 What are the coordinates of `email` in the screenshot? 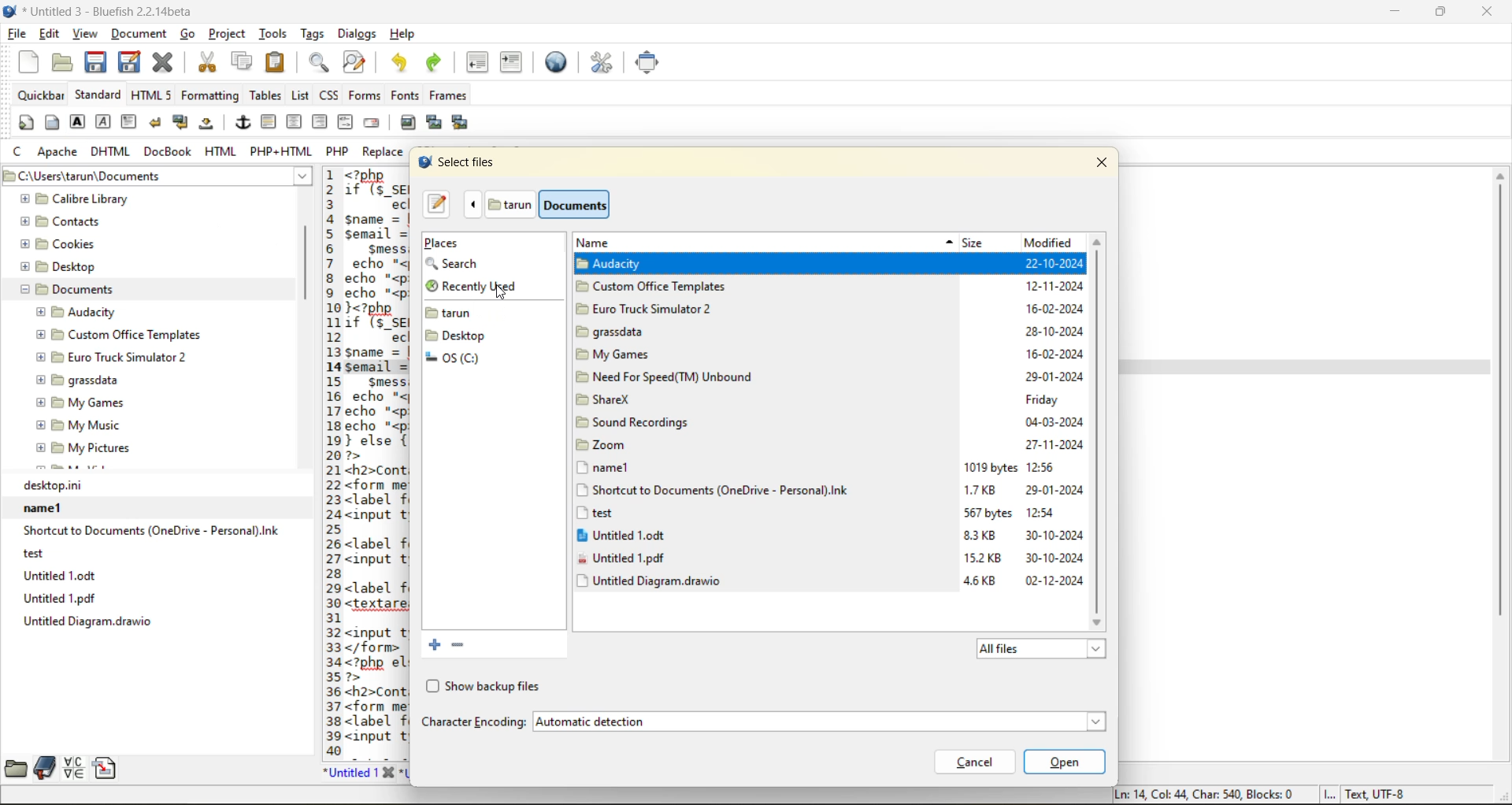 It's located at (374, 122).